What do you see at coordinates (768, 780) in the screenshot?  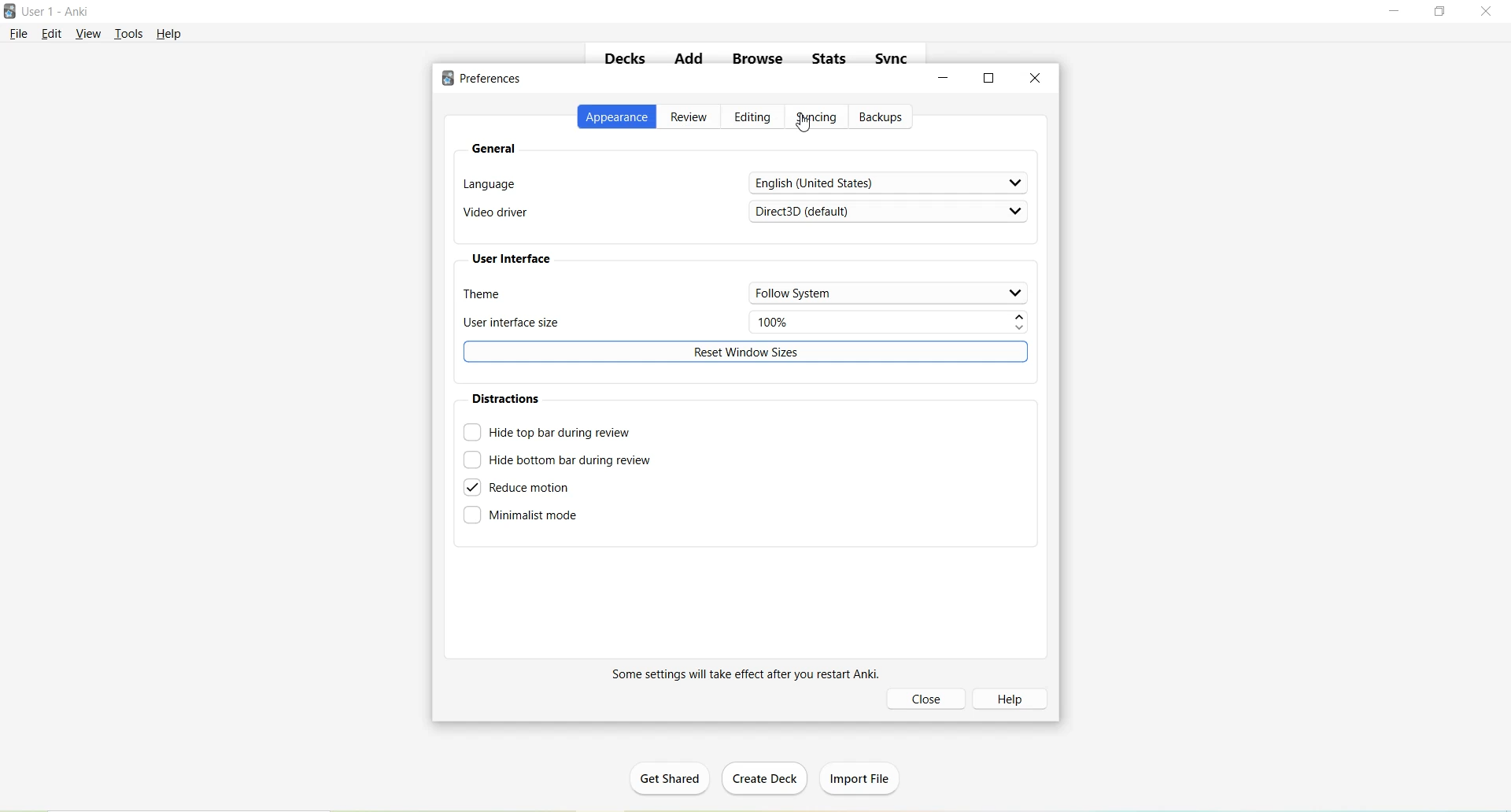 I see `Create Deck` at bounding box center [768, 780].